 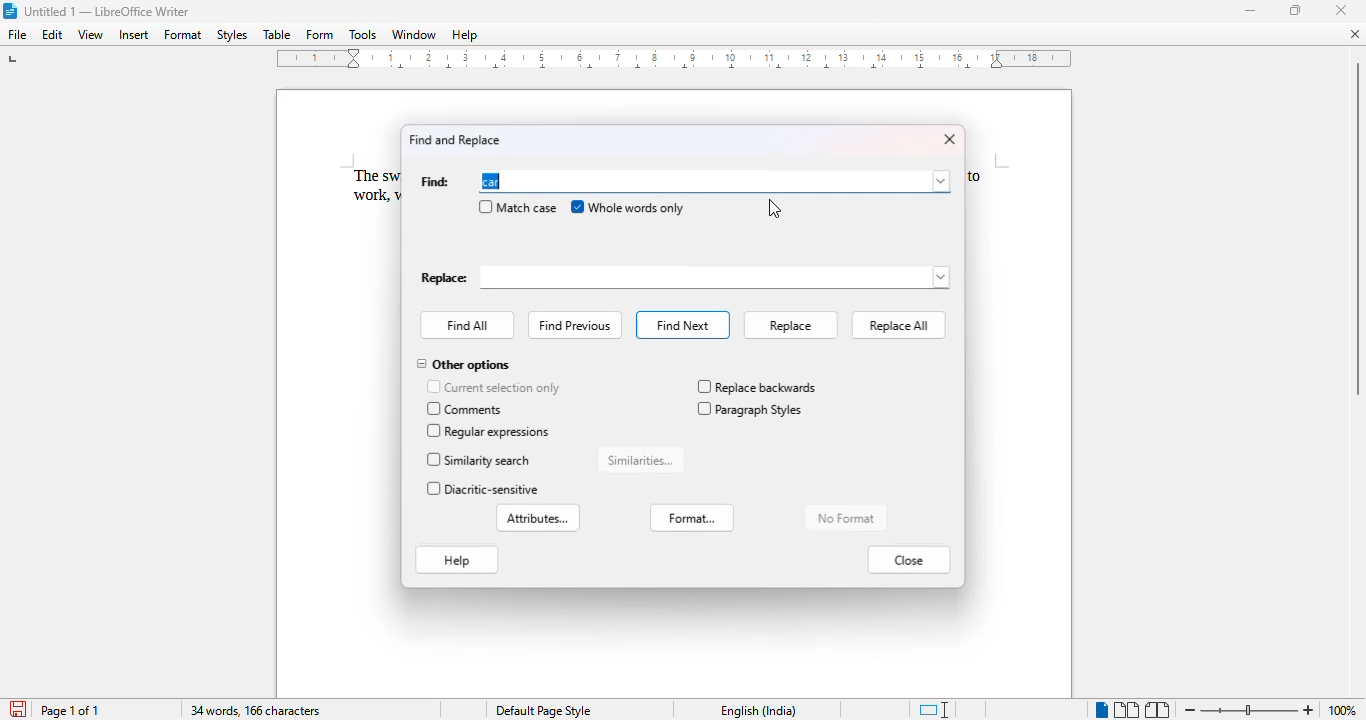 I want to click on format, so click(x=184, y=34).